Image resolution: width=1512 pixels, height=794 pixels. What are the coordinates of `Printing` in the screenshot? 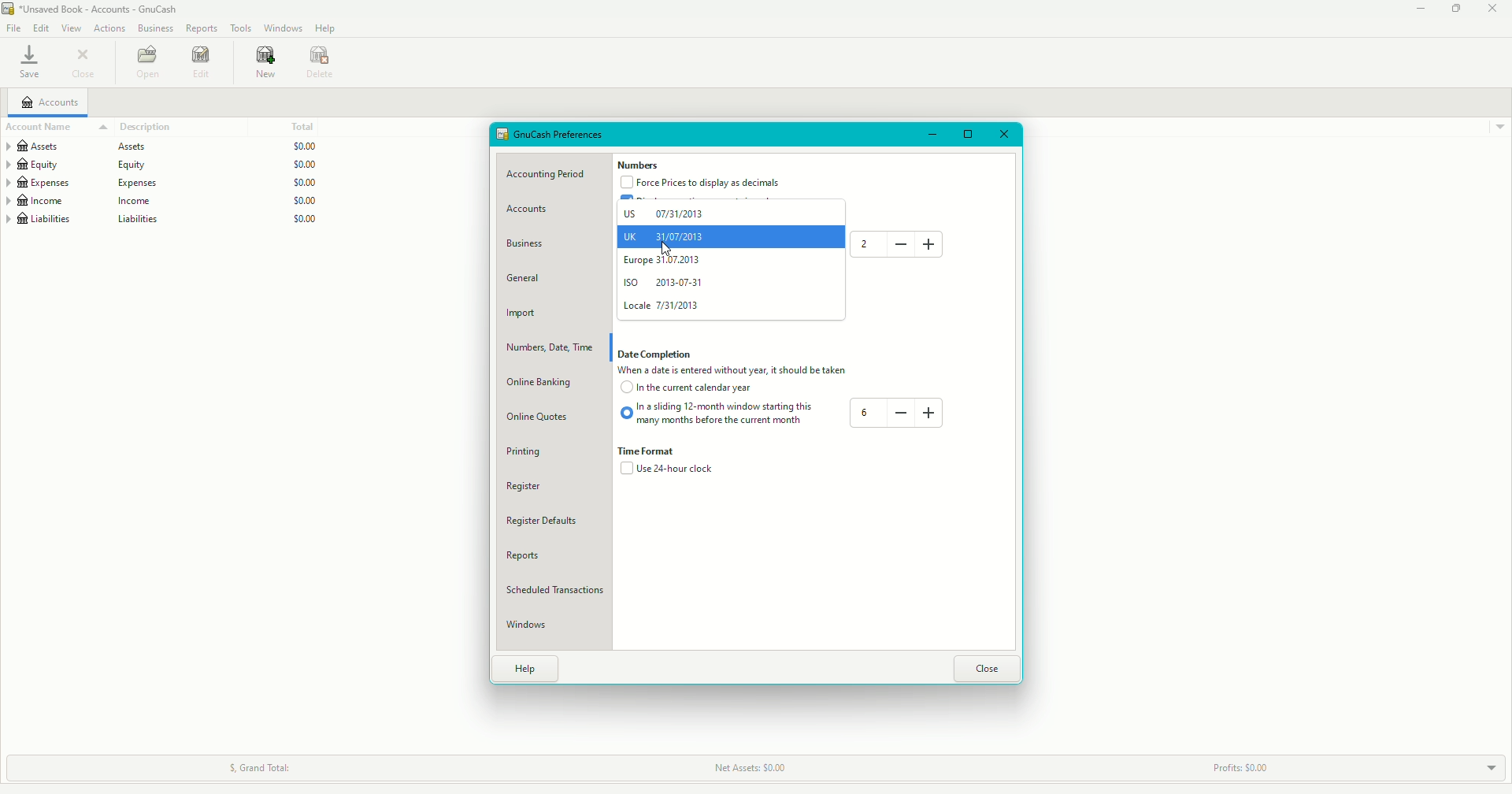 It's located at (528, 451).